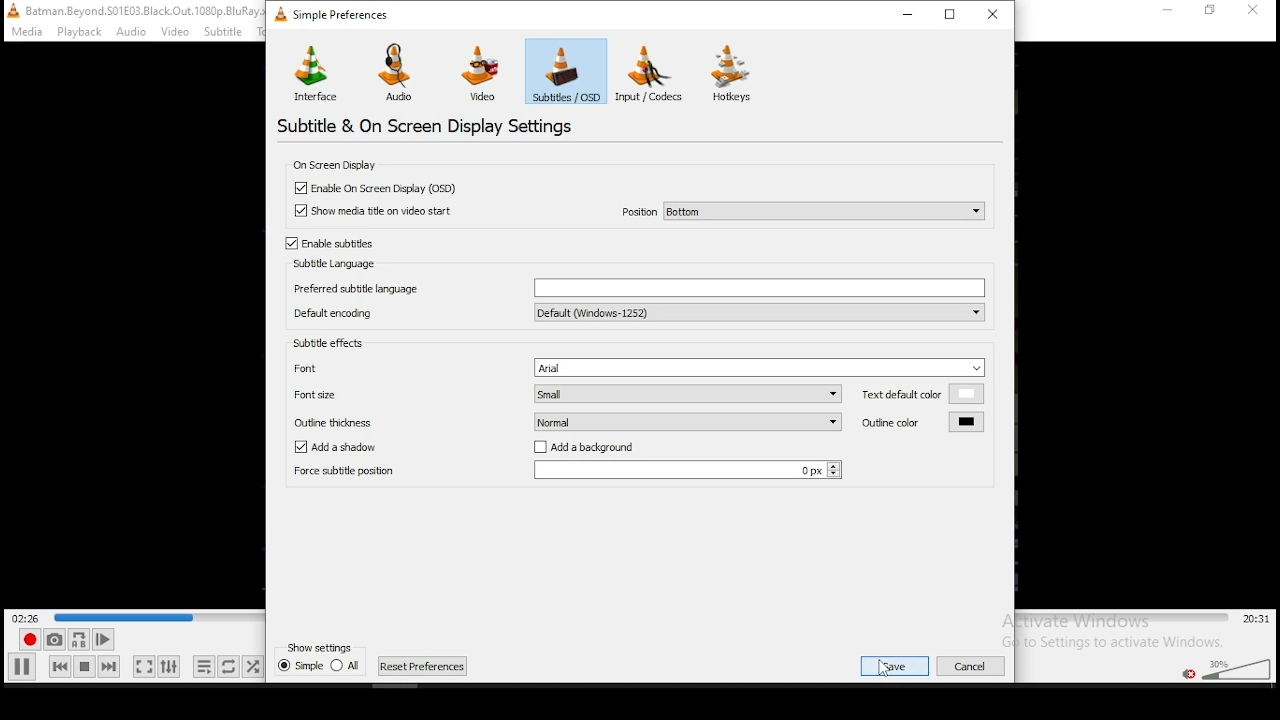  I want to click on force subtitle position, so click(343, 475).